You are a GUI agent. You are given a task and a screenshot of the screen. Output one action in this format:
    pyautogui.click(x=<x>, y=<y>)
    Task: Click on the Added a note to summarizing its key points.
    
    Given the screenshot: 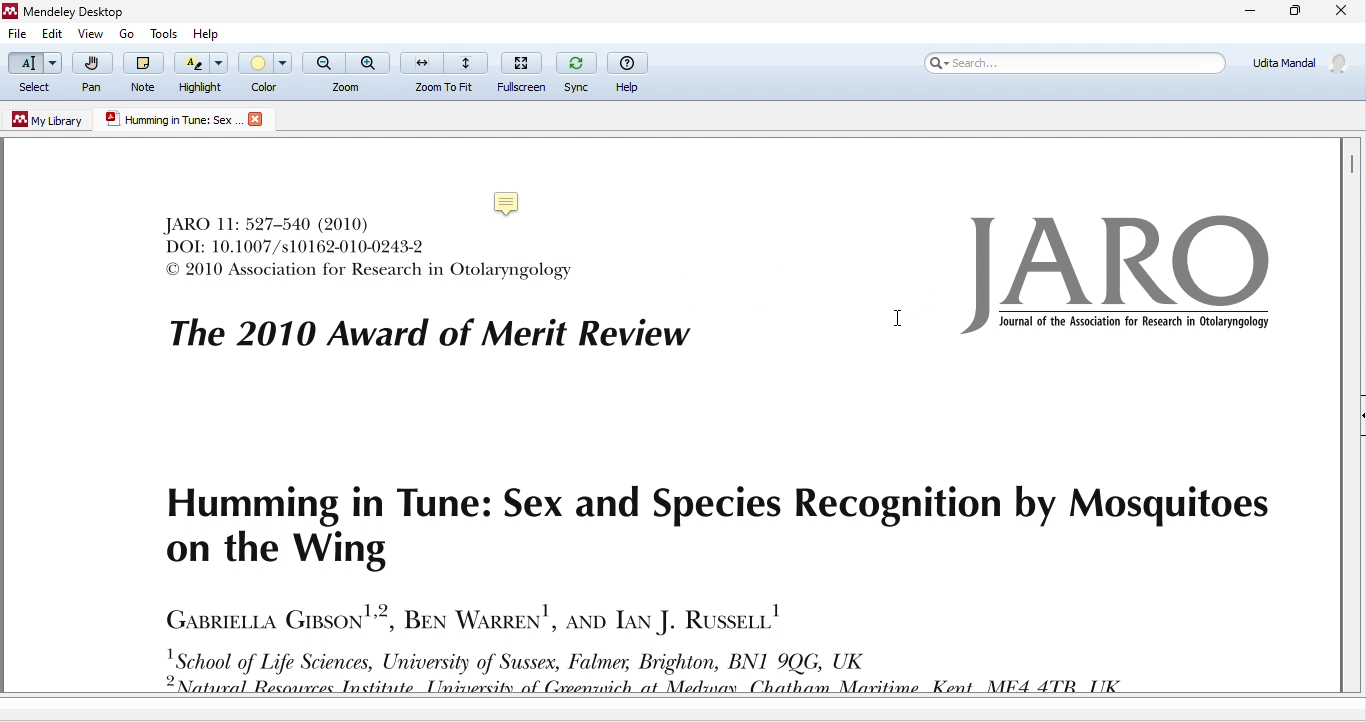 What is the action you would take?
    pyautogui.click(x=507, y=198)
    